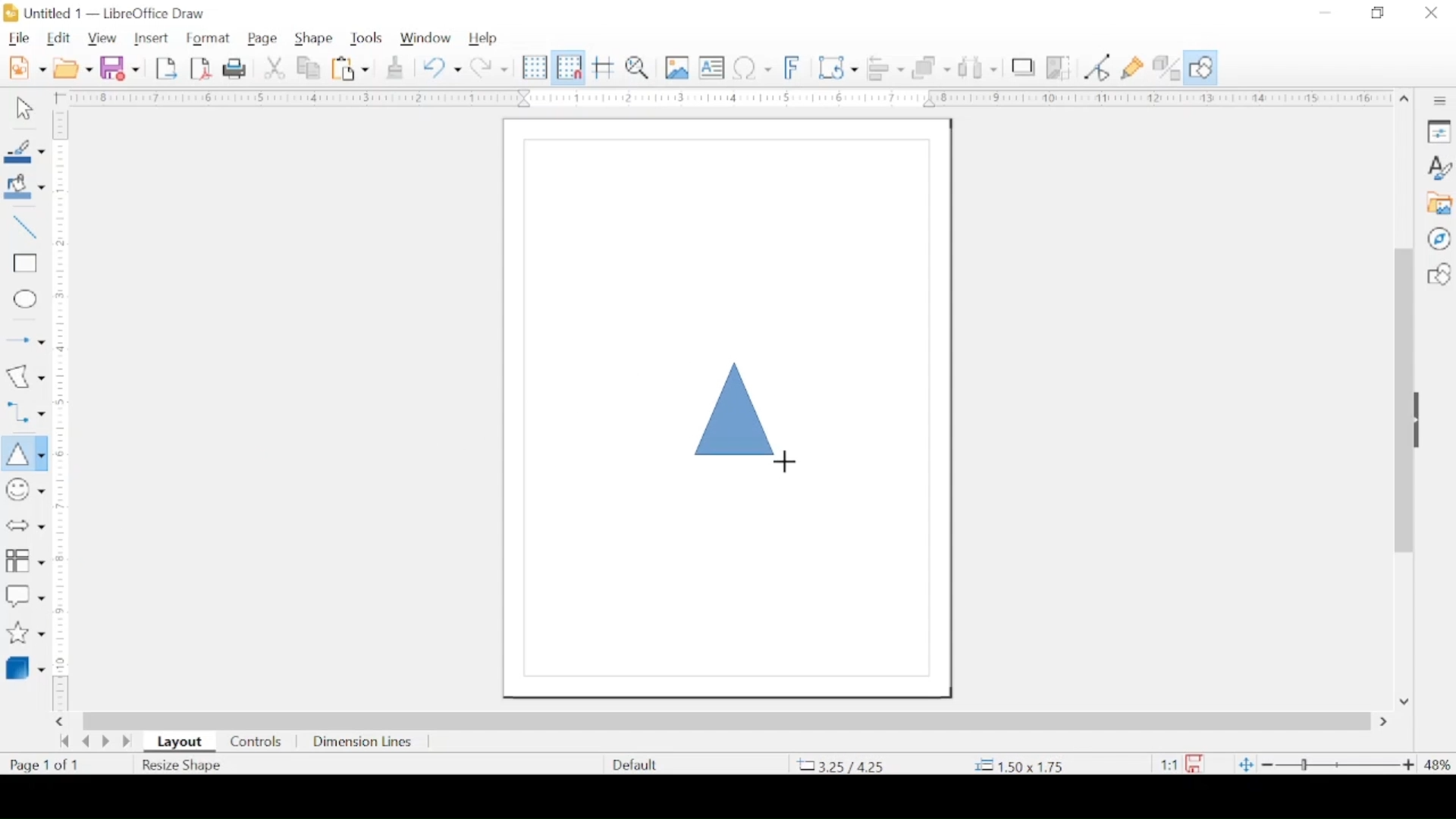  I want to click on copy, so click(310, 69).